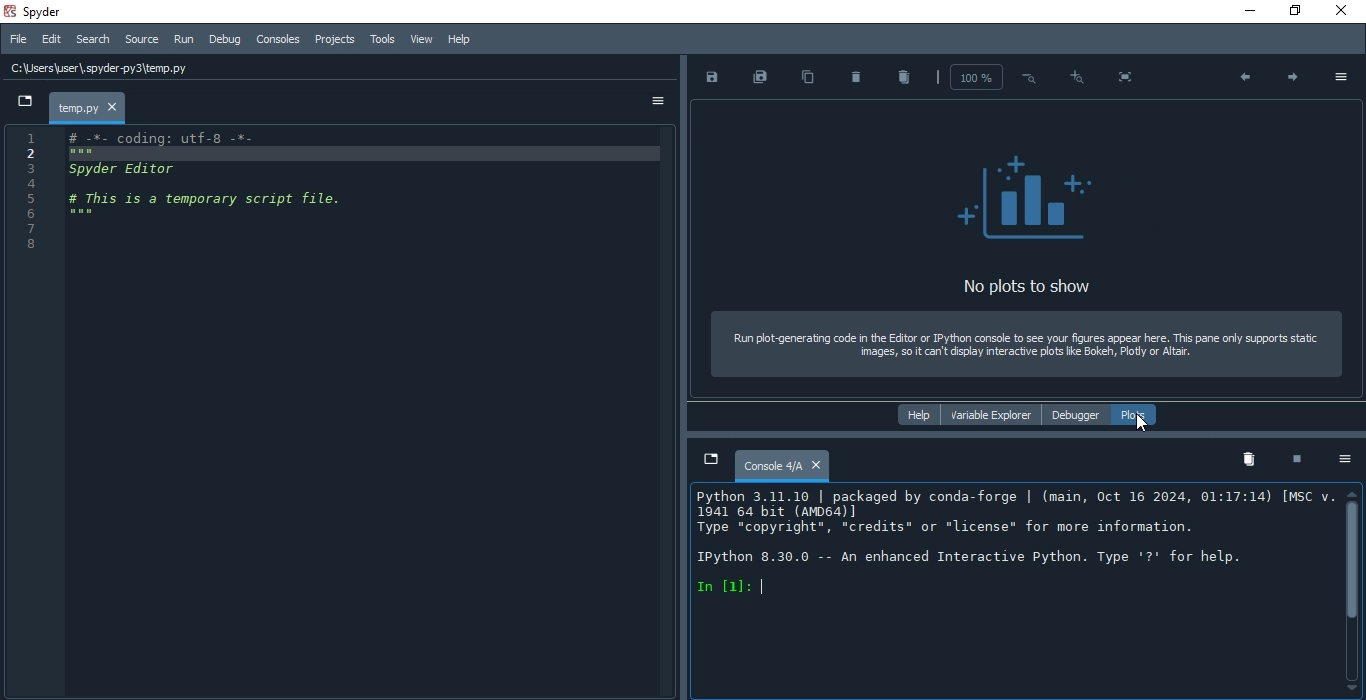 This screenshot has width=1366, height=700. What do you see at coordinates (302, 68) in the screenshot?
I see `c:\users\user\.spyder-py3\temp.py` at bounding box center [302, 68].